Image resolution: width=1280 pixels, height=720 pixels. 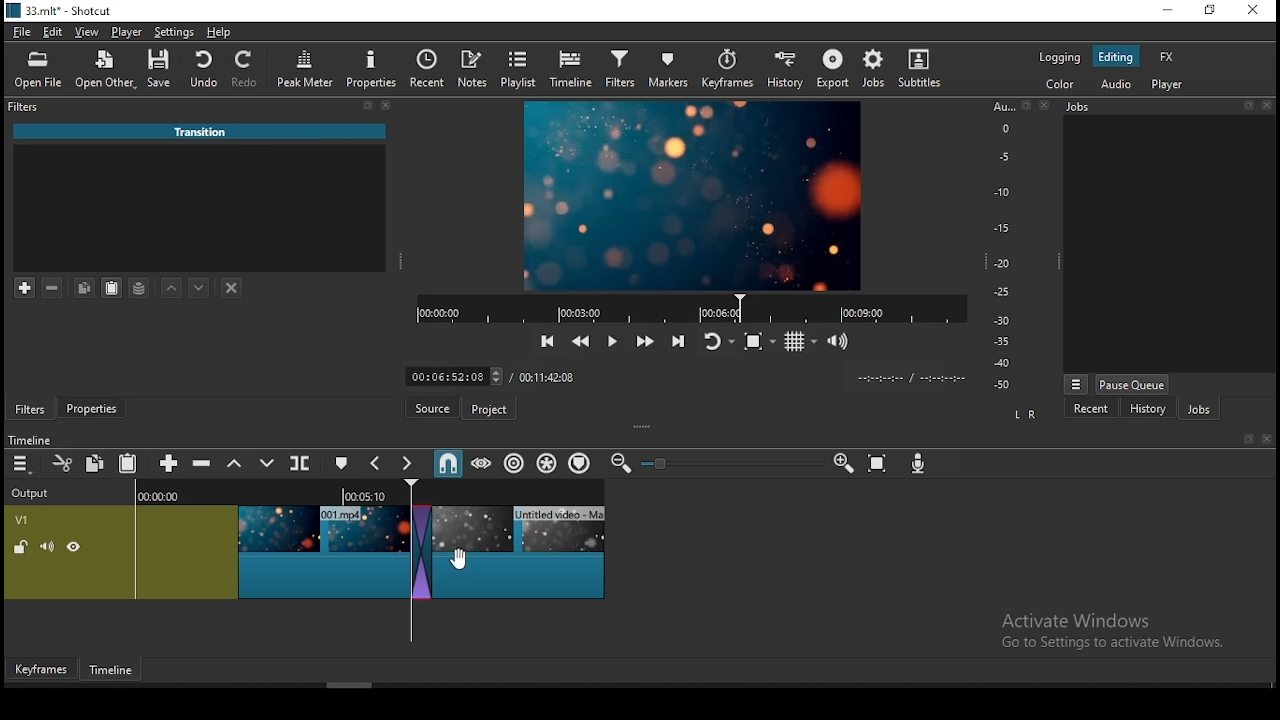 What do you see at coordinates (684, 309) in the screenshot?
I see `video progress bar` at bounding box center [684, 309].